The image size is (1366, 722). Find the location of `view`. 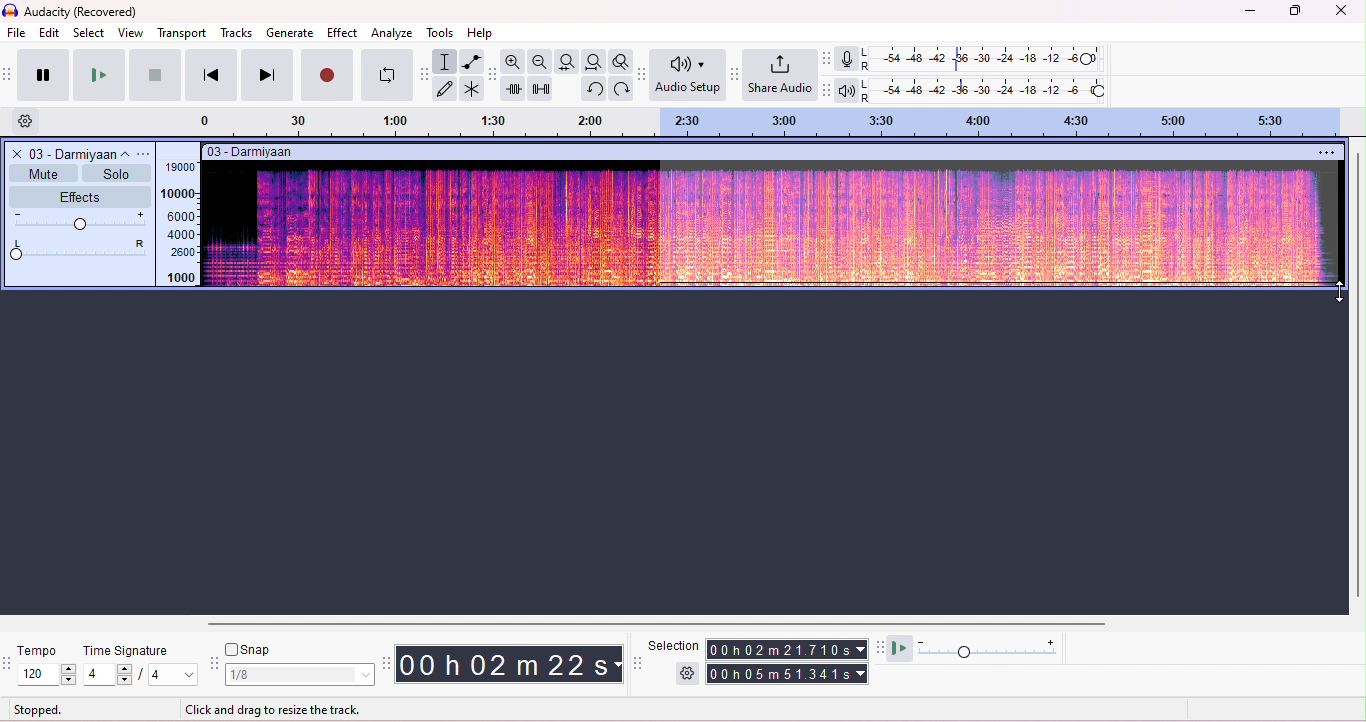

view is located at coordinates (131, 33).